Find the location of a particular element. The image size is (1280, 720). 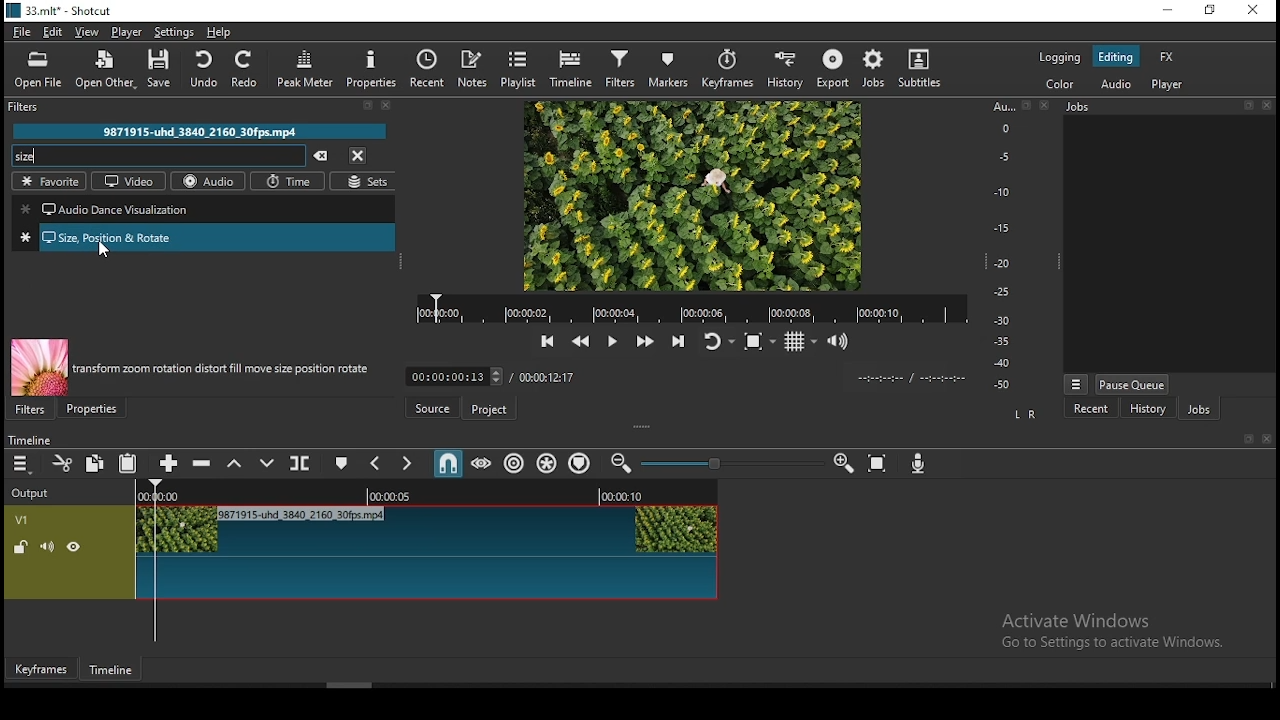

export is located at coordinates (833, 70).